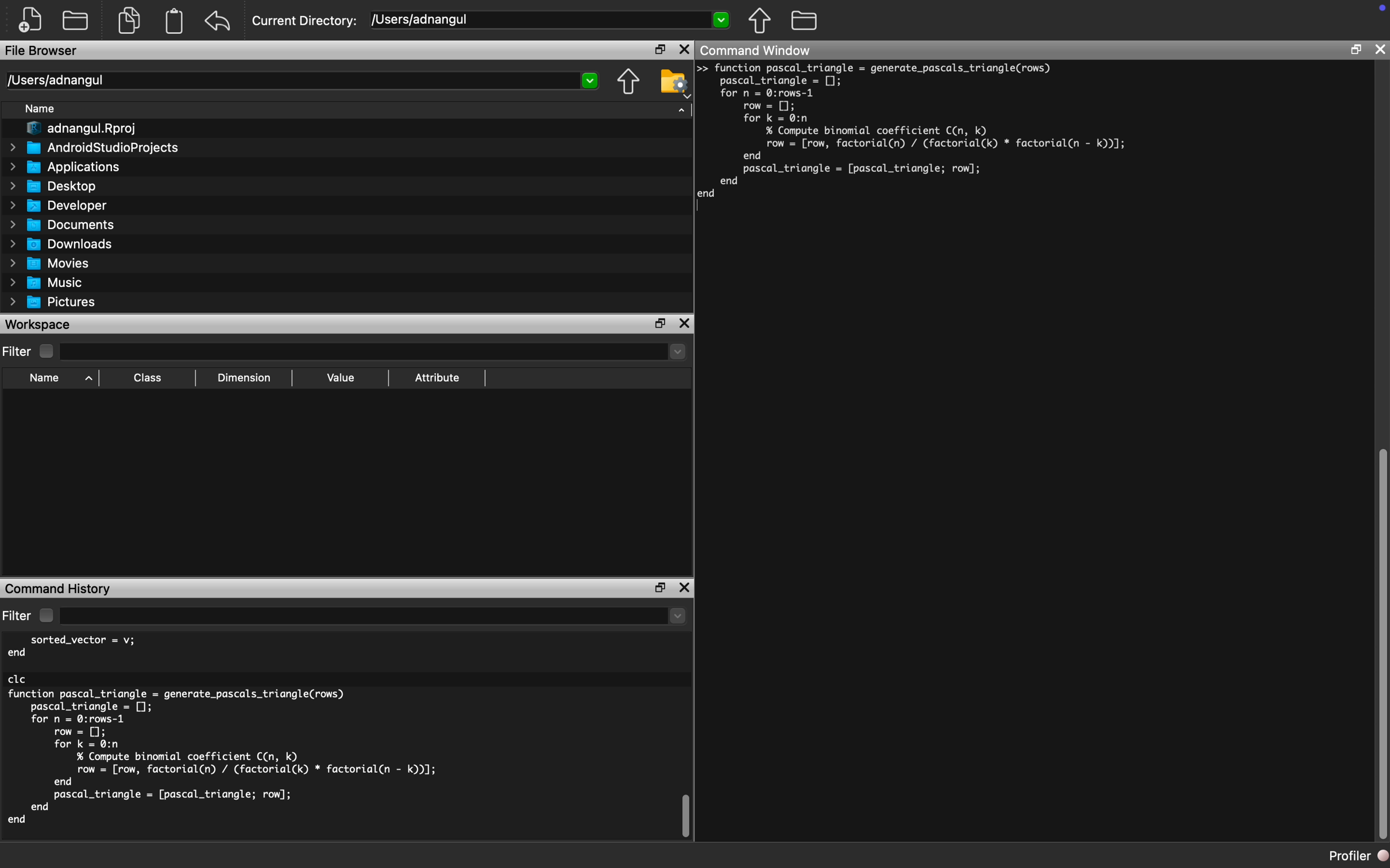 The width and height of the screenshot is (1390, 868). What do you see at coordinates (659, 49) in the screenshot?
I see `Restore Down` at bounding box center [659, 49].